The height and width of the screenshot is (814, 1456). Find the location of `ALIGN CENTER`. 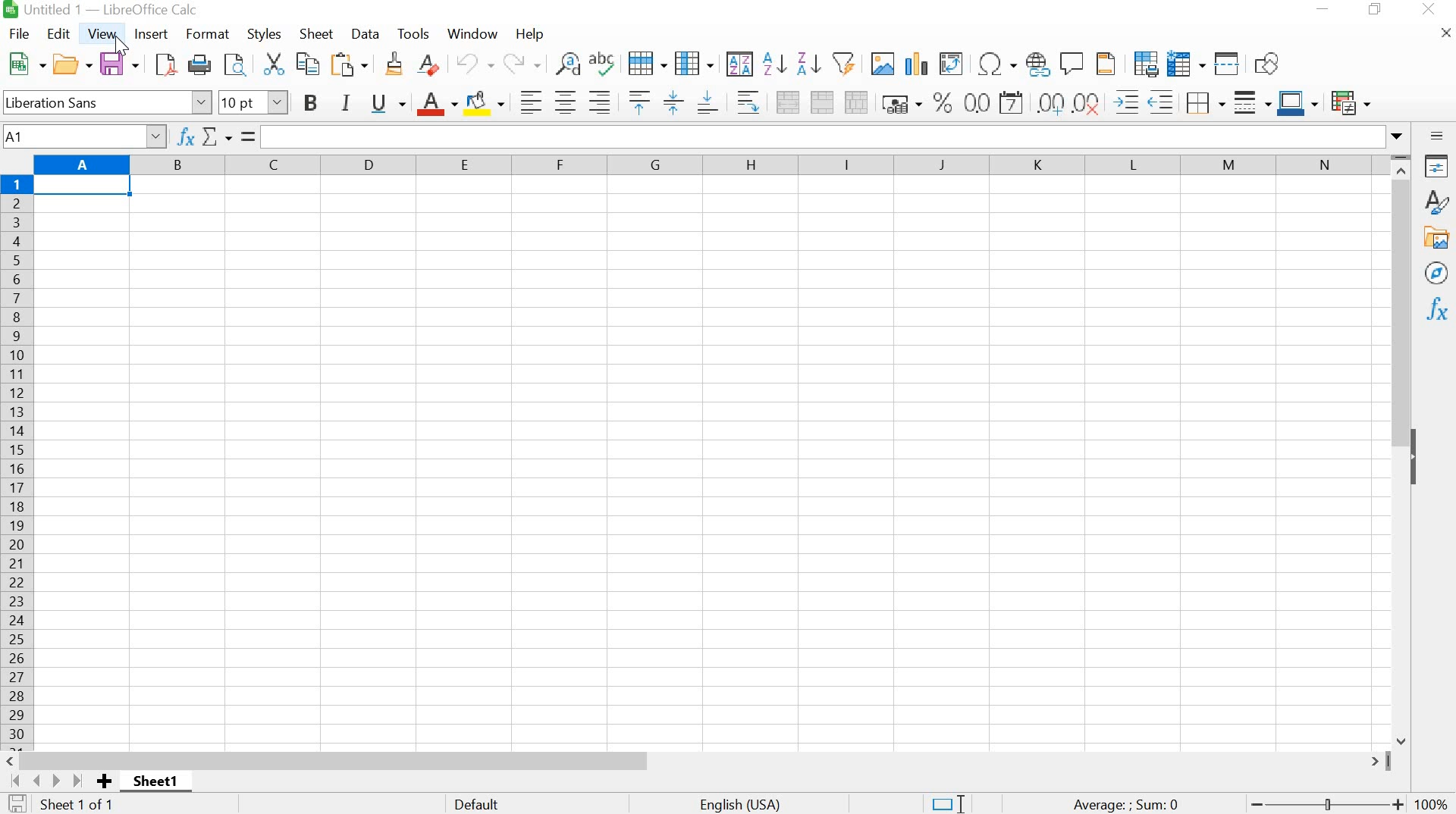

ALIGN CENTER is located at coordinates (564, 103).